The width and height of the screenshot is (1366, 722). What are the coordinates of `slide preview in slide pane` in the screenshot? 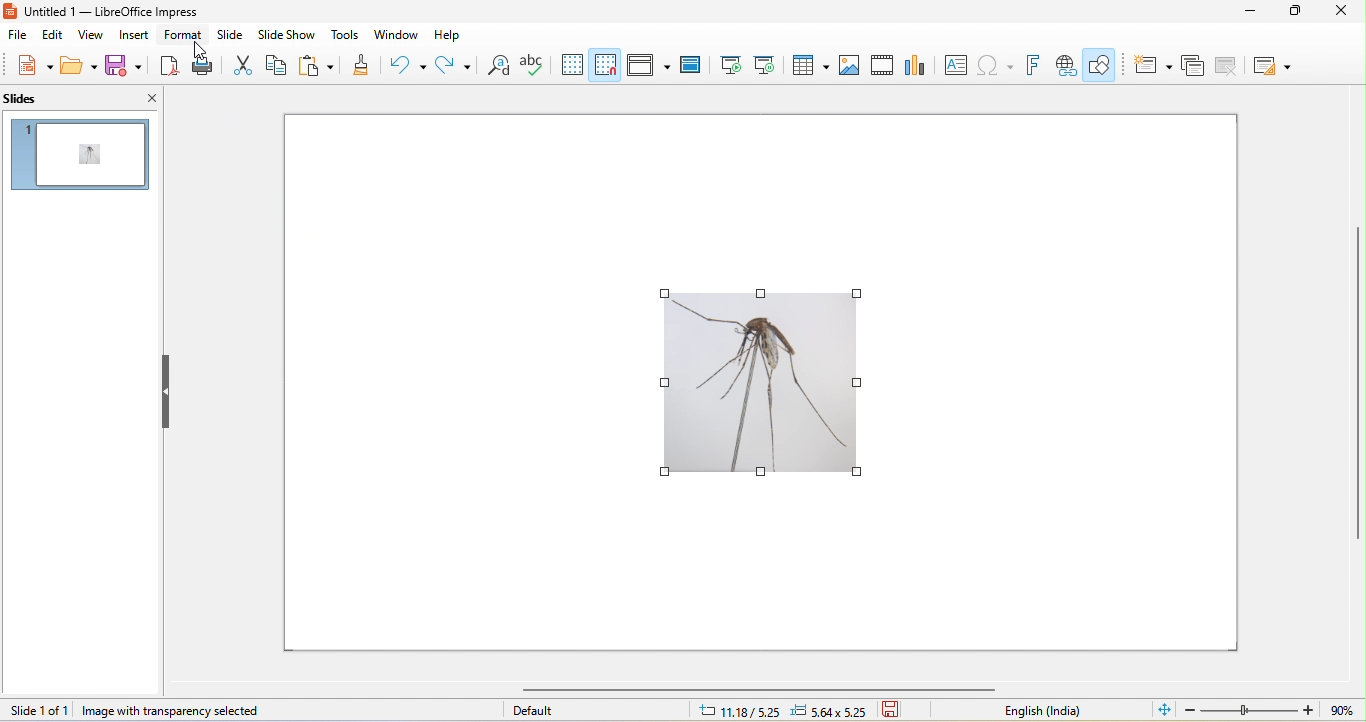 It's located at (81, 155).